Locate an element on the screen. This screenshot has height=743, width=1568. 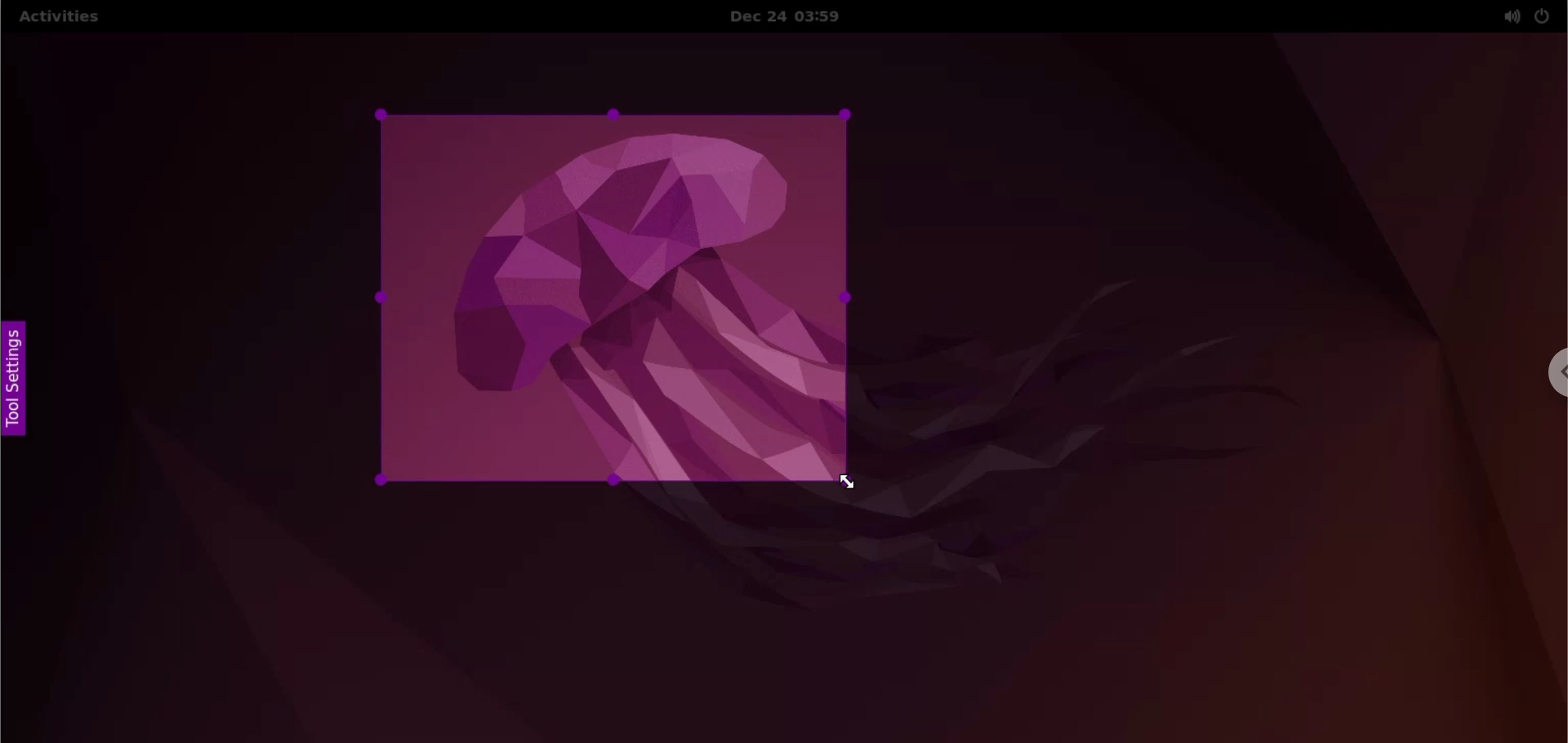
tool settings  is located at coordinates (14, 382).